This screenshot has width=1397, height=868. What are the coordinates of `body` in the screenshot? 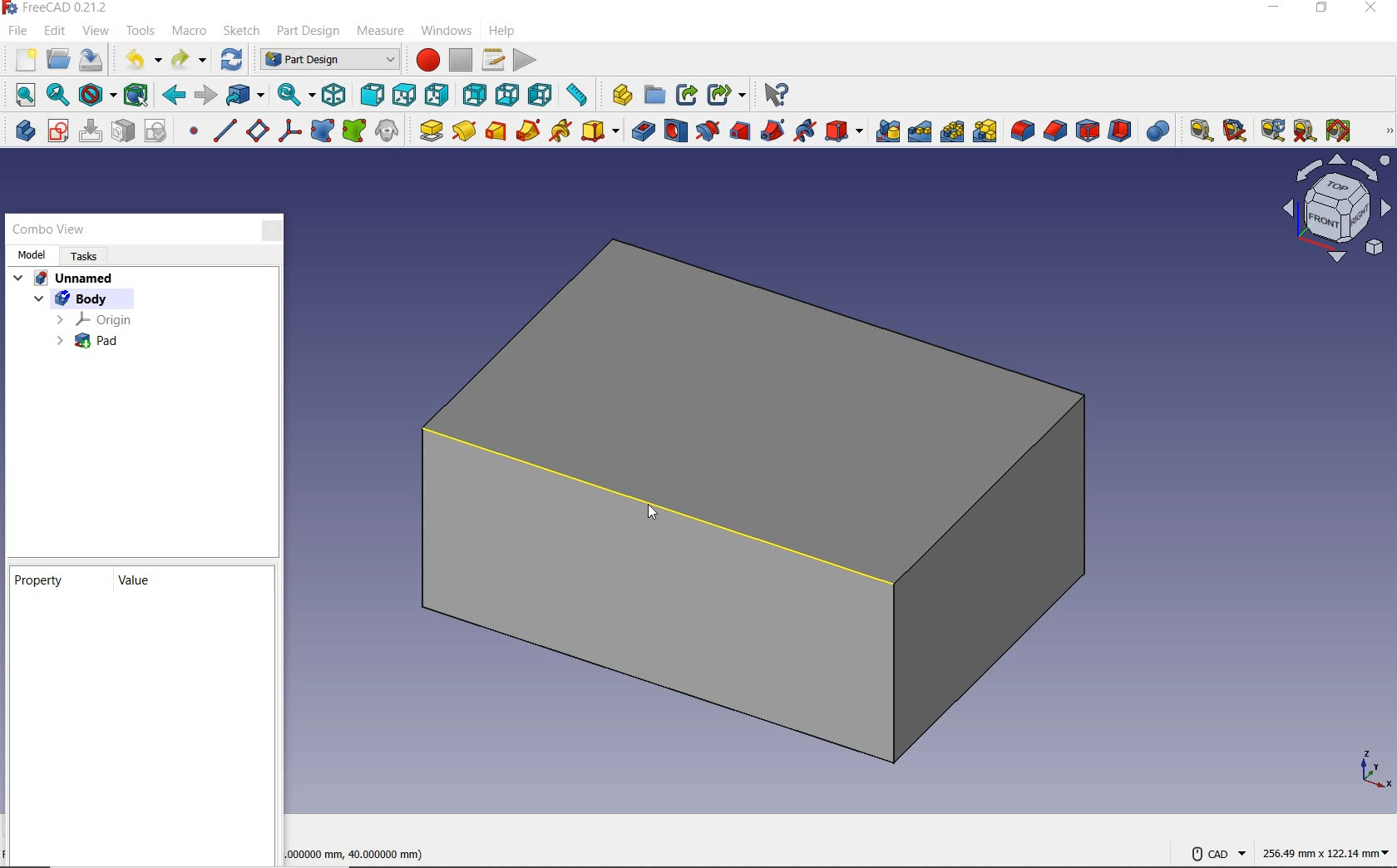 It's located at (67, 298).